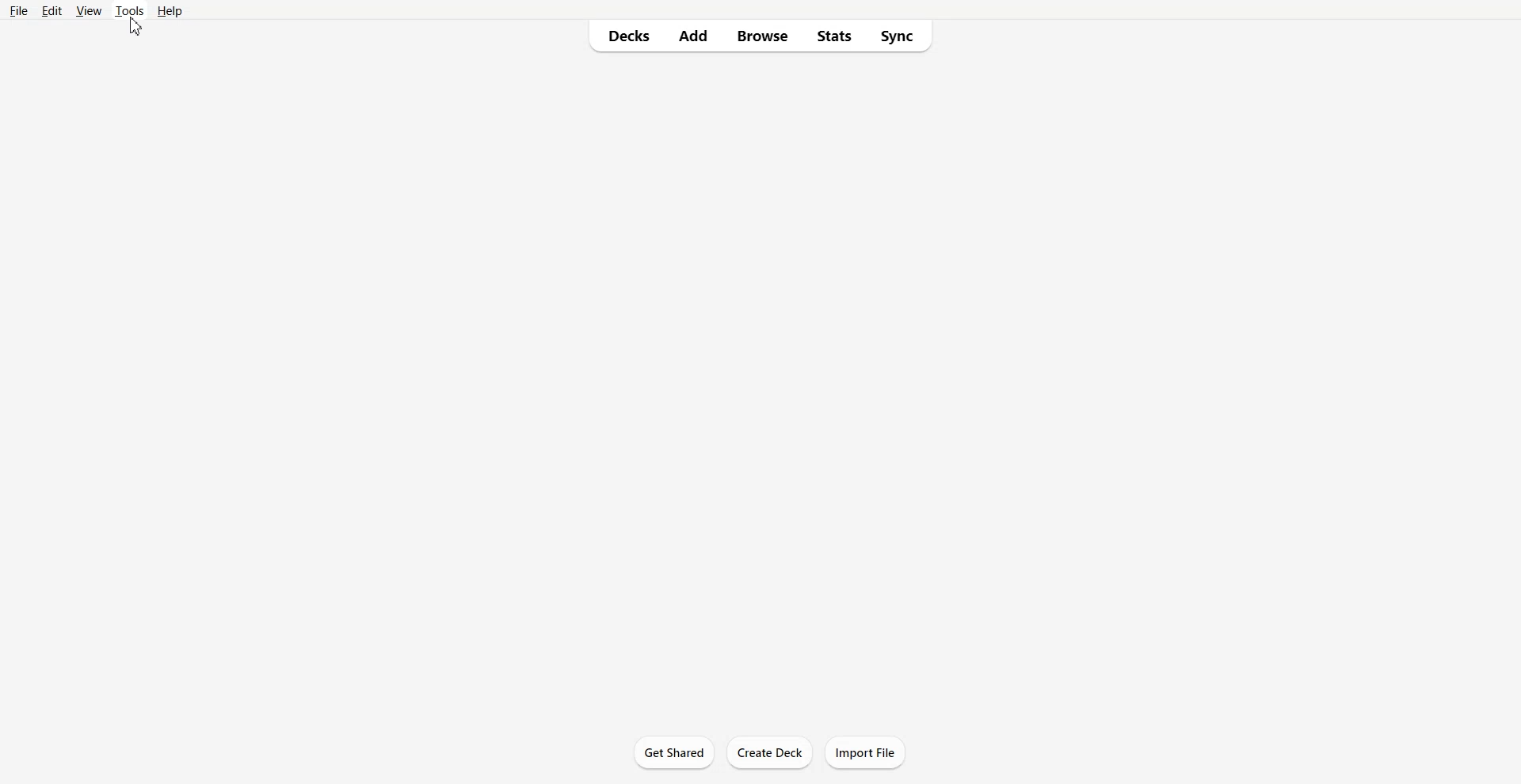 The image size is (1521, 784). Describe the element at coordinates (770, 752) in the screenshot. I see `Create Deck` at that location.